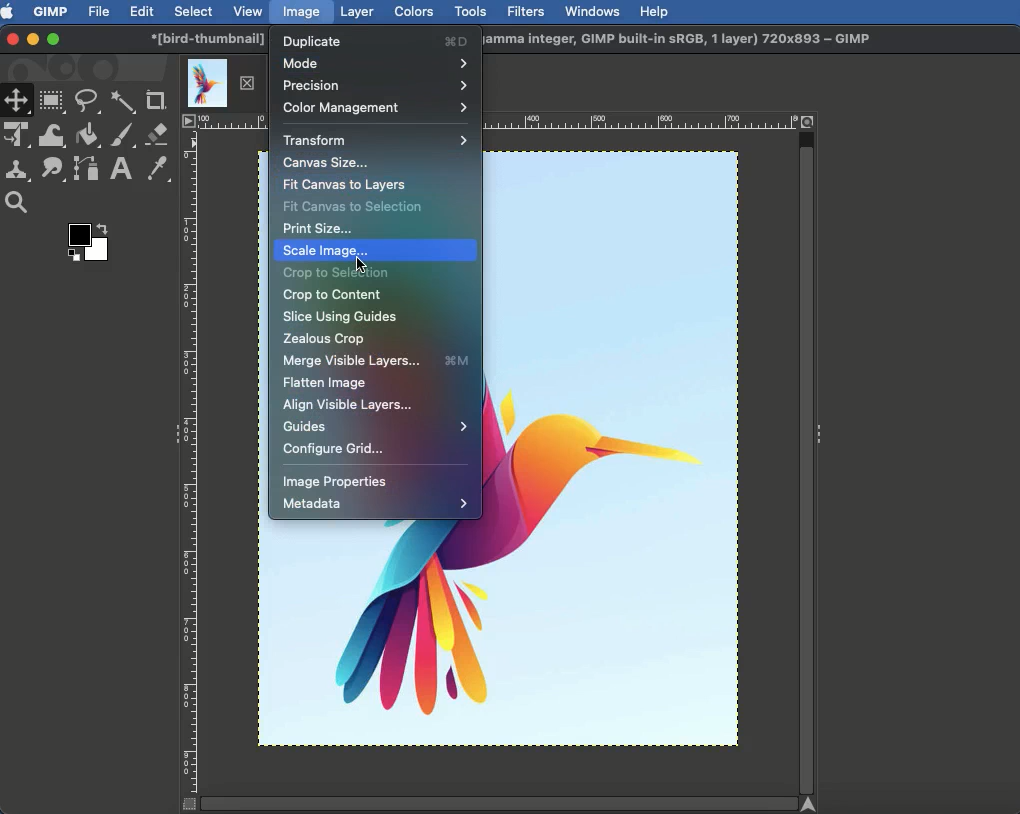 The width and height of the screenshot is (1020, 814). What do you see at coordinates (373, 62) in the screenshot?
I see `Mode` at bounding box center [373, 62].